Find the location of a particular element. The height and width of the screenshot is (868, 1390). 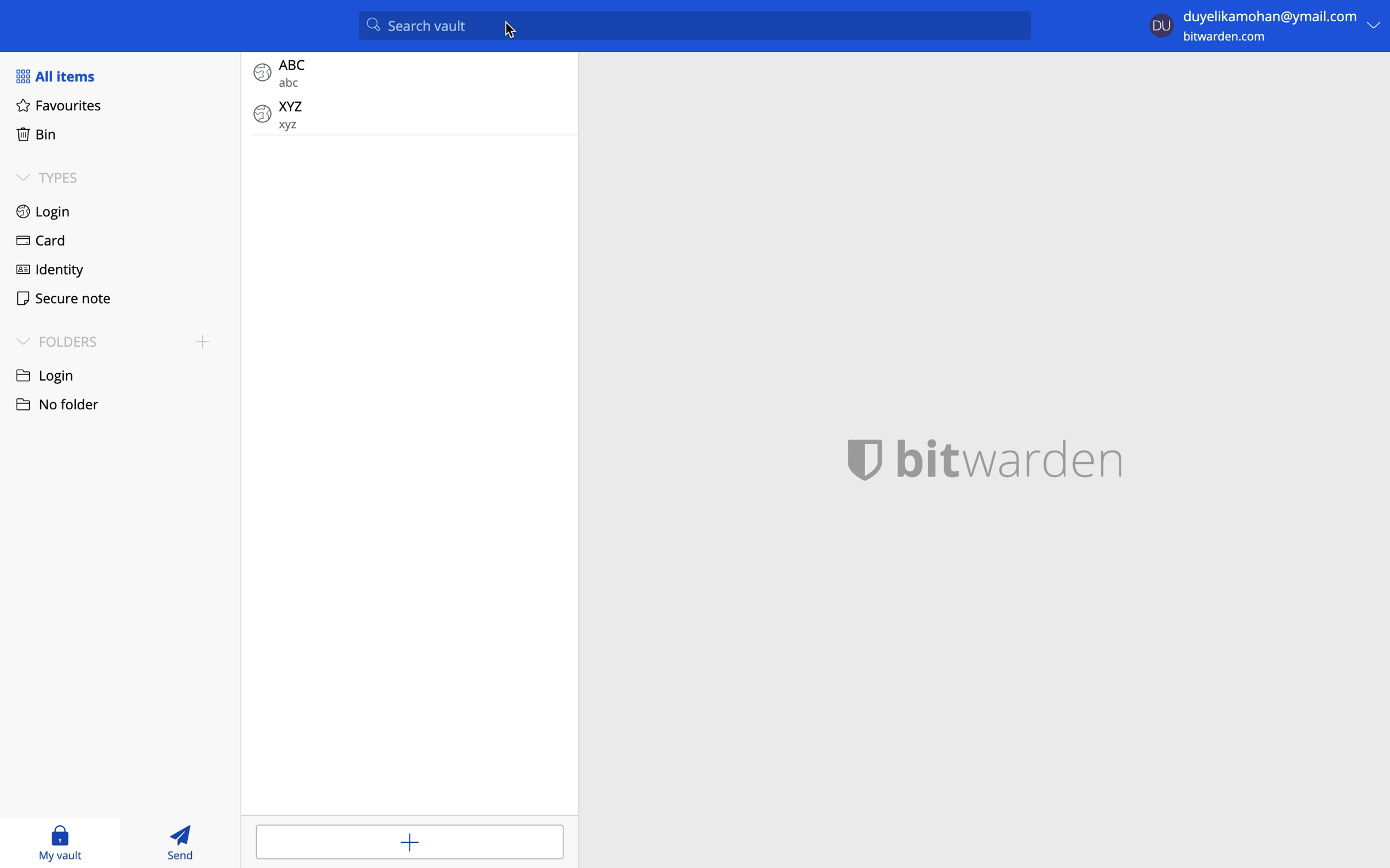

login item: ABC is located at coordinates (412, 72).